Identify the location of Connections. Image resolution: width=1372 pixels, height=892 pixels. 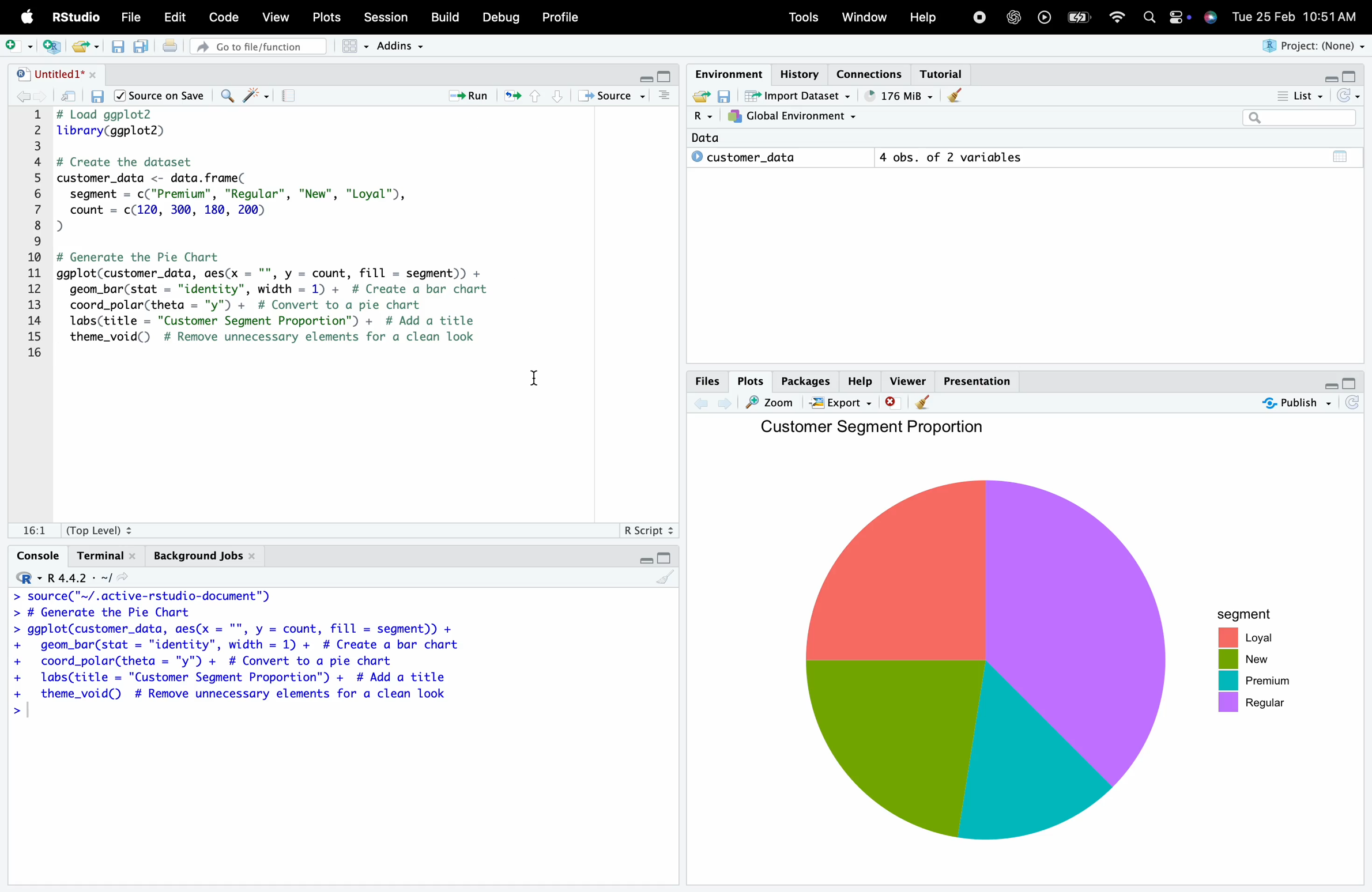
(872, 73).